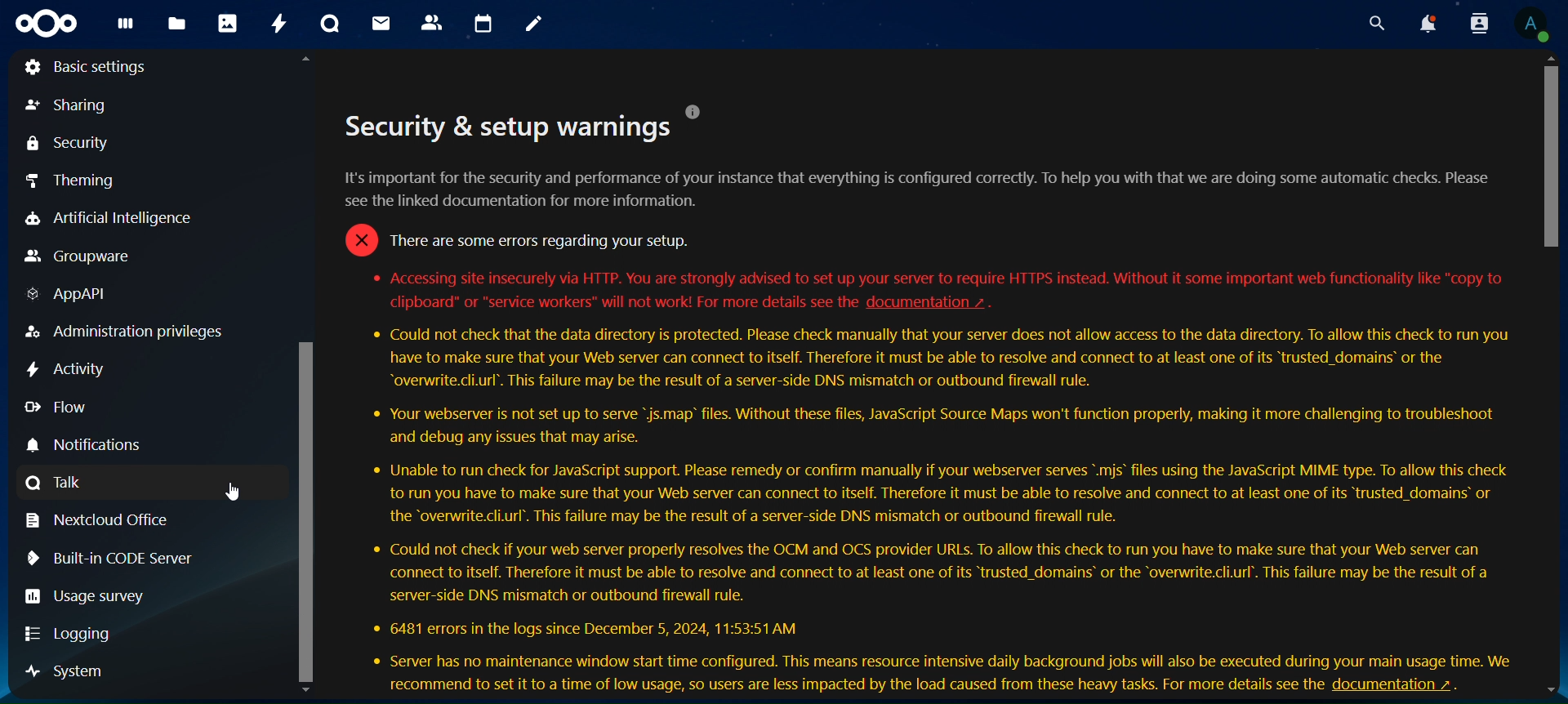 Image resolution: width=1568 pixels, height=704 pixels. What do you see at coordinates (280, 23) in the screenshot?
I see `activity` at bounding box center [280, 23].